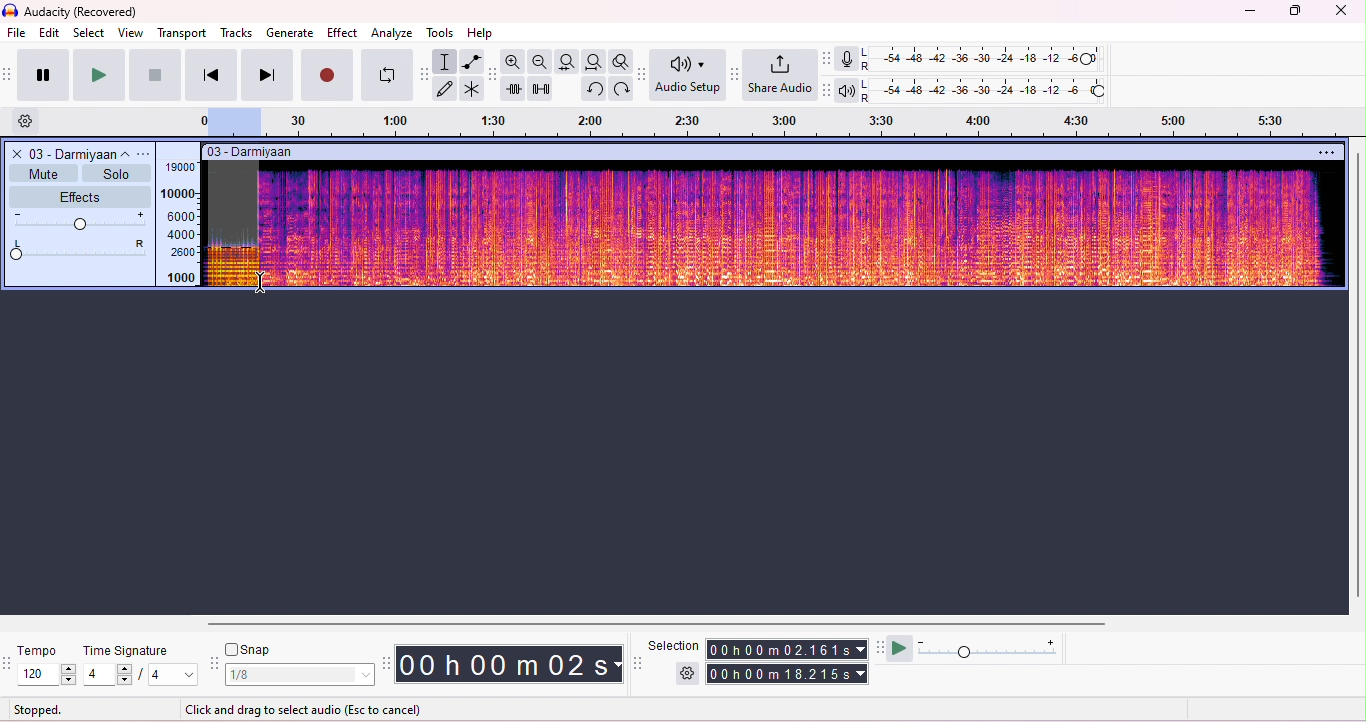  I want to click on playback level, so click(988, 90).